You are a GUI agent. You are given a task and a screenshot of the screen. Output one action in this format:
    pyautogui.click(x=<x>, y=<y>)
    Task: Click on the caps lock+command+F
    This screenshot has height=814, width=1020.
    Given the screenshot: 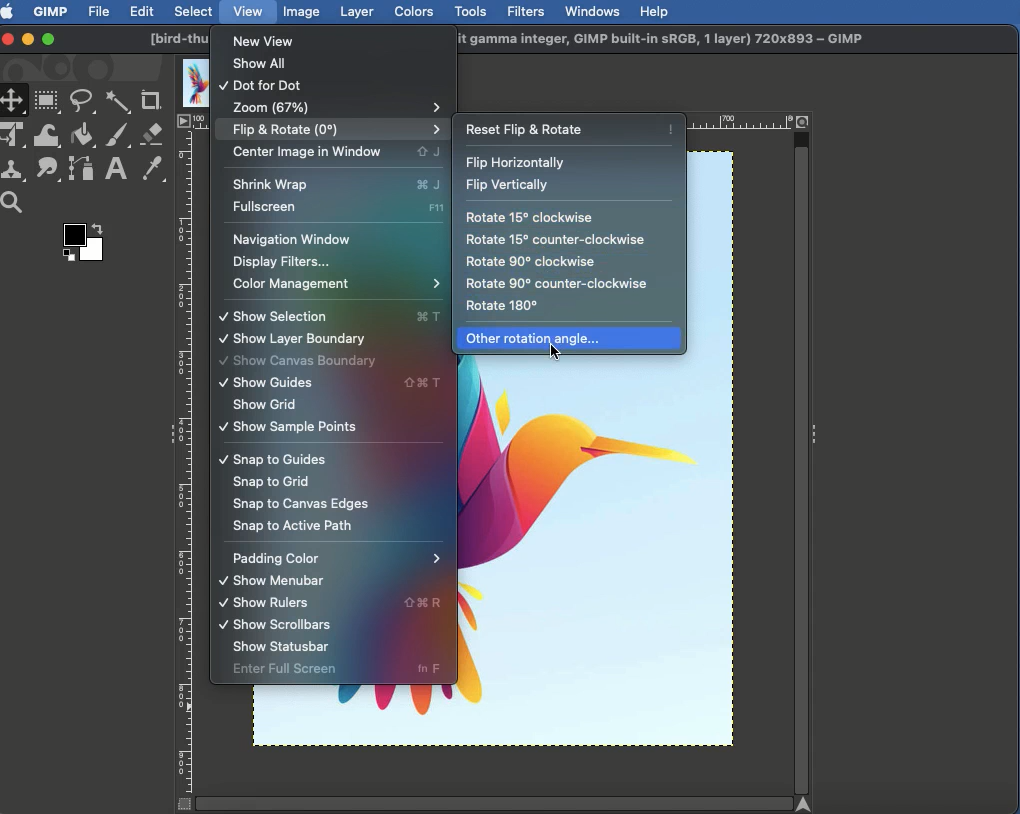 What is the action you would take?
    pyautogui.click(x=426, y=604)
    